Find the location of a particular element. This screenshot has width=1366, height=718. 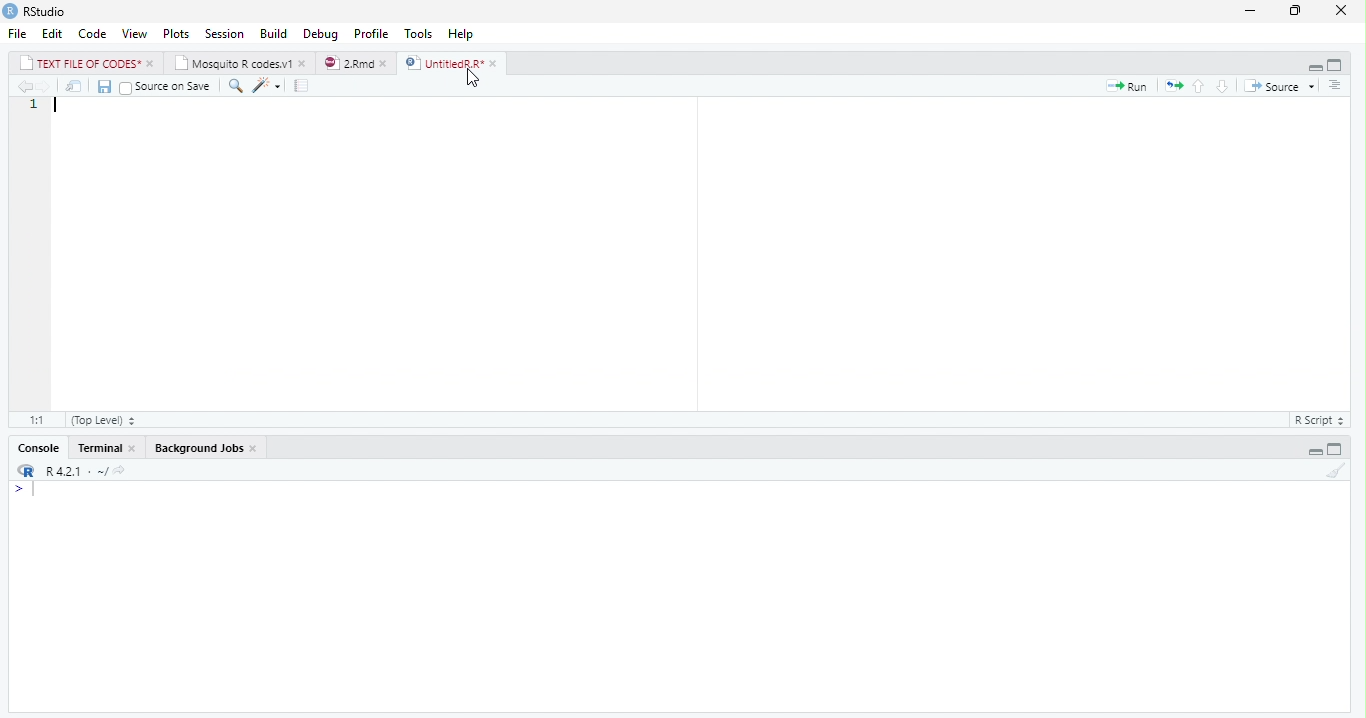

maximize is located at coordinates (1335, 66).